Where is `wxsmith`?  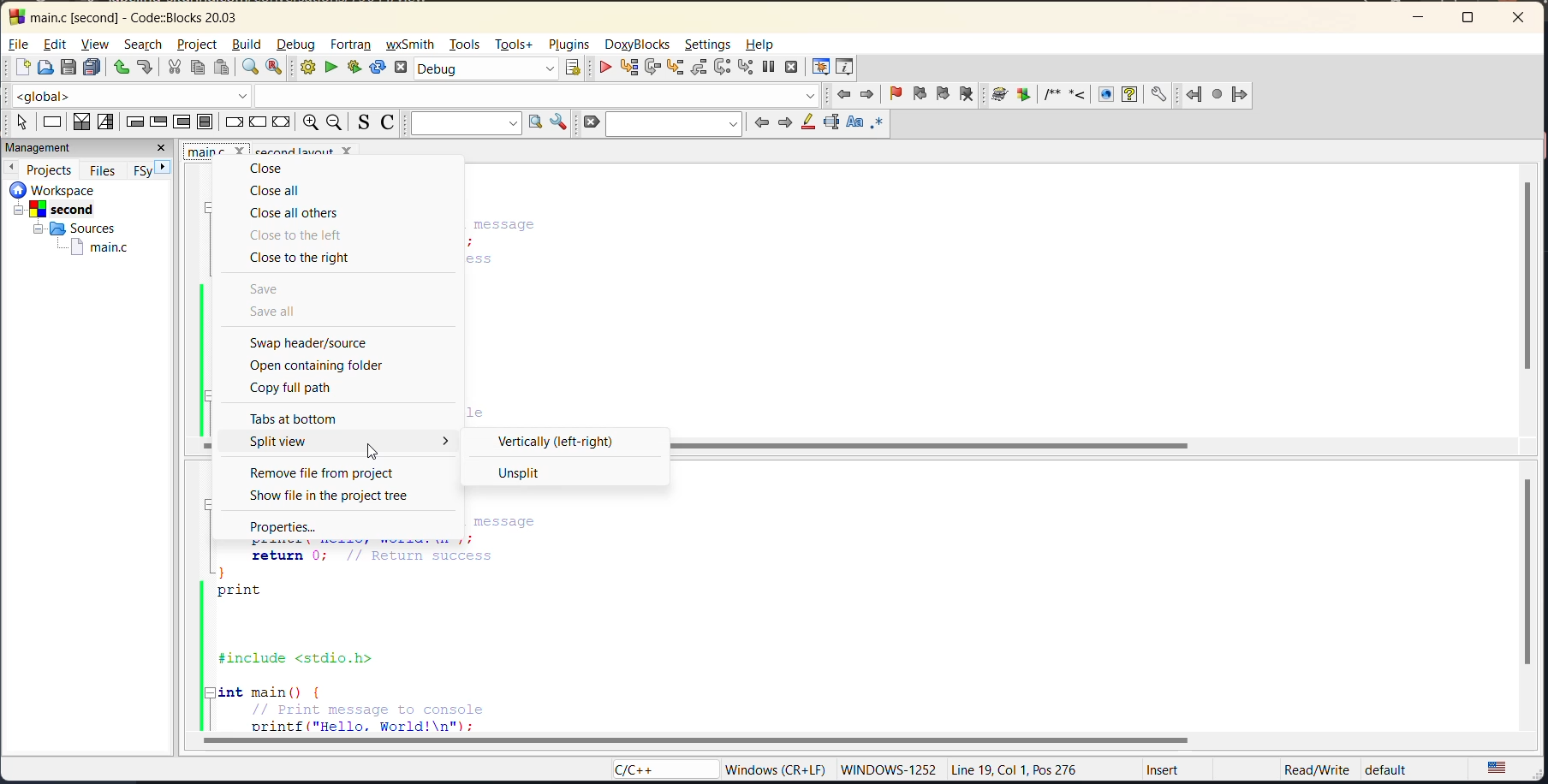
wxsmith is located at coordinates (409, 45).